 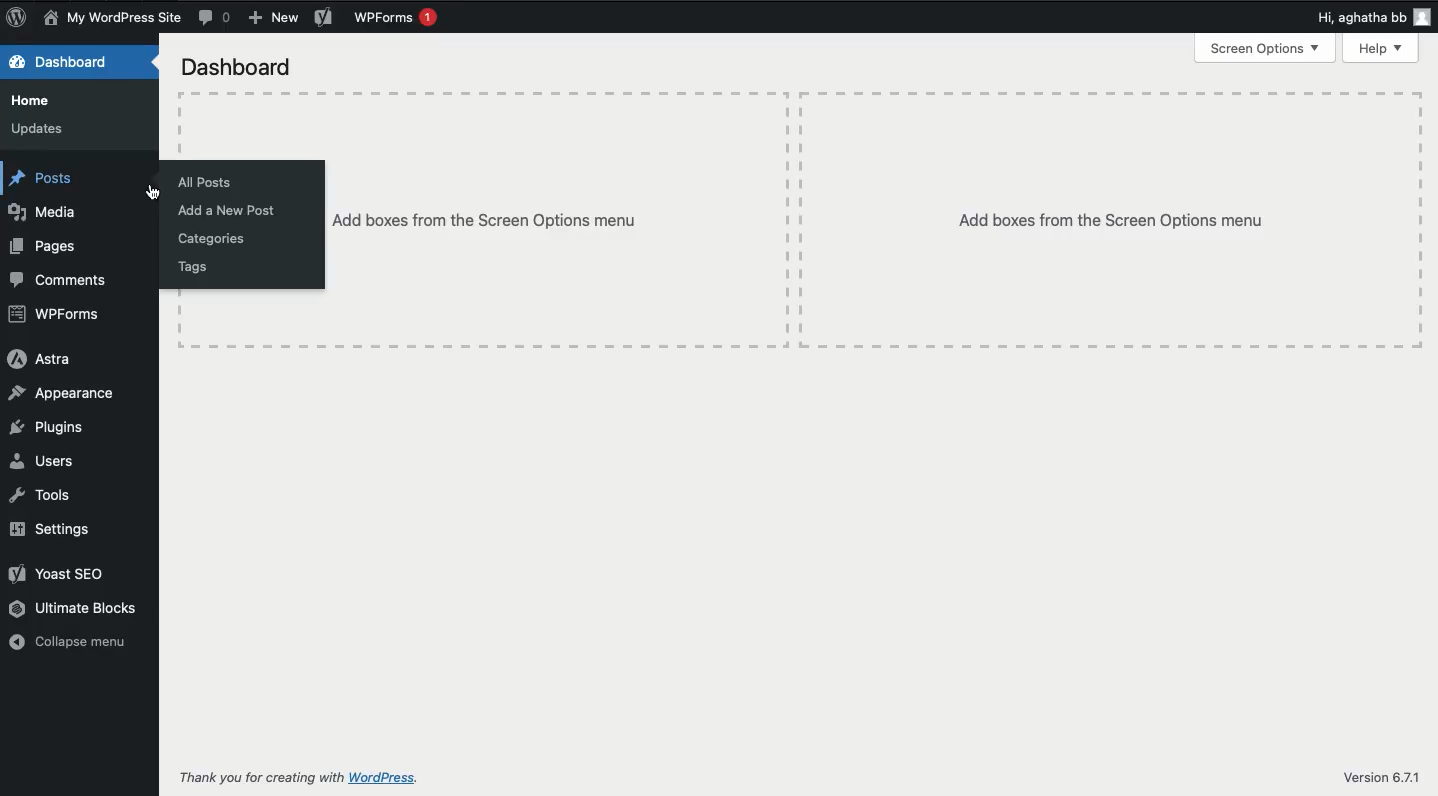 I want to click on Dashboard , so click(x=69, y=65).